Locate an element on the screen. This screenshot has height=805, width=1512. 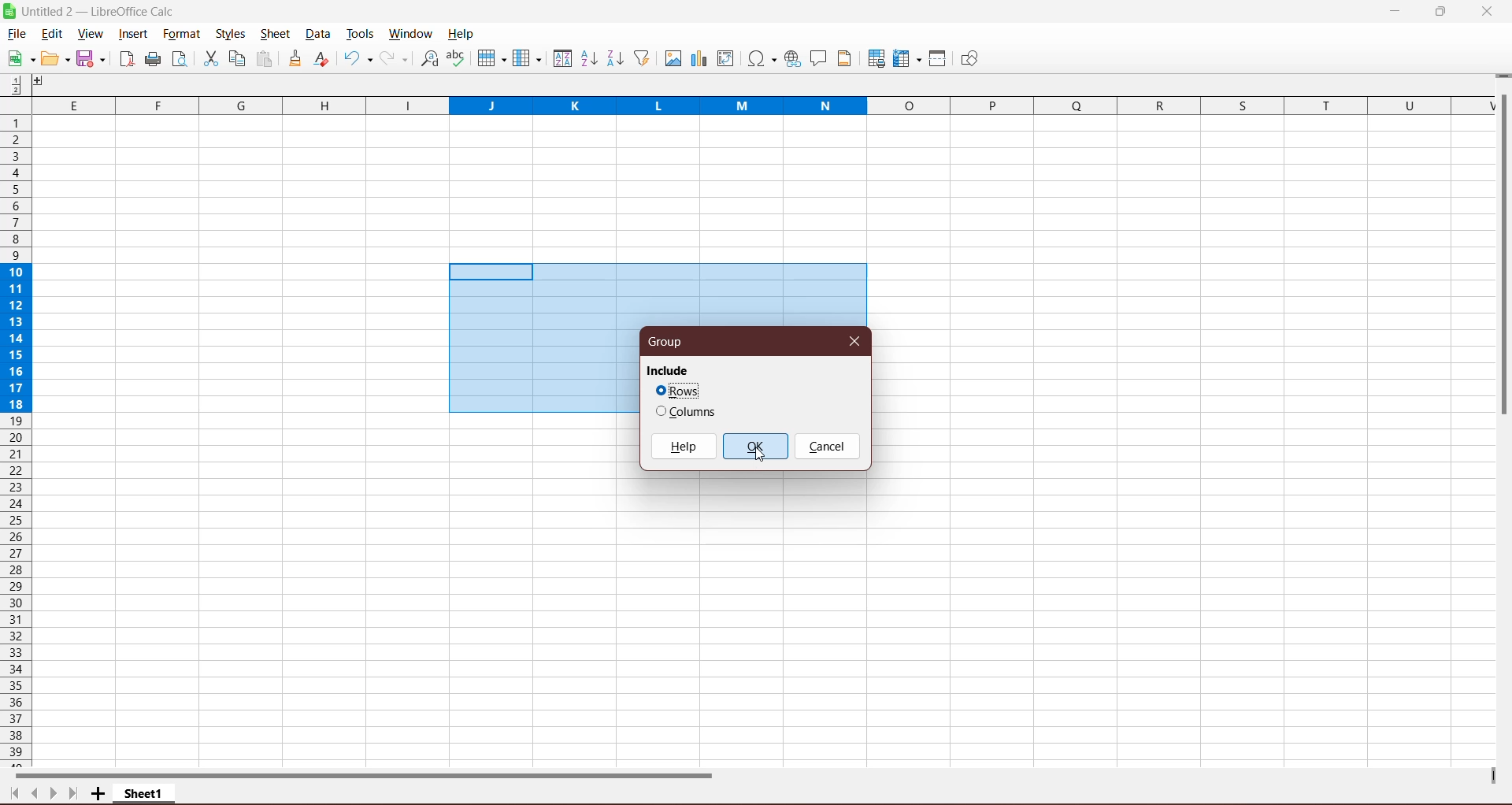
Sort Descending is located at coordinates (616, 58).